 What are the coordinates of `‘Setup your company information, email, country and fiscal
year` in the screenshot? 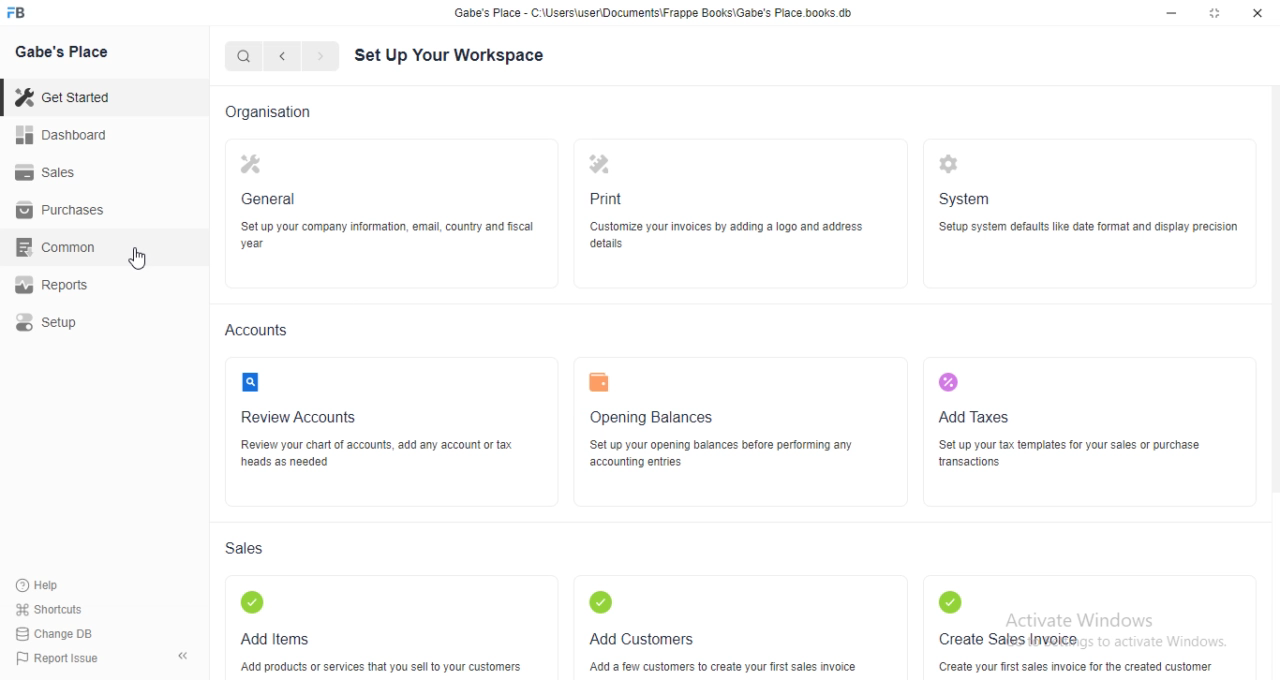 It's located at (391, 233).